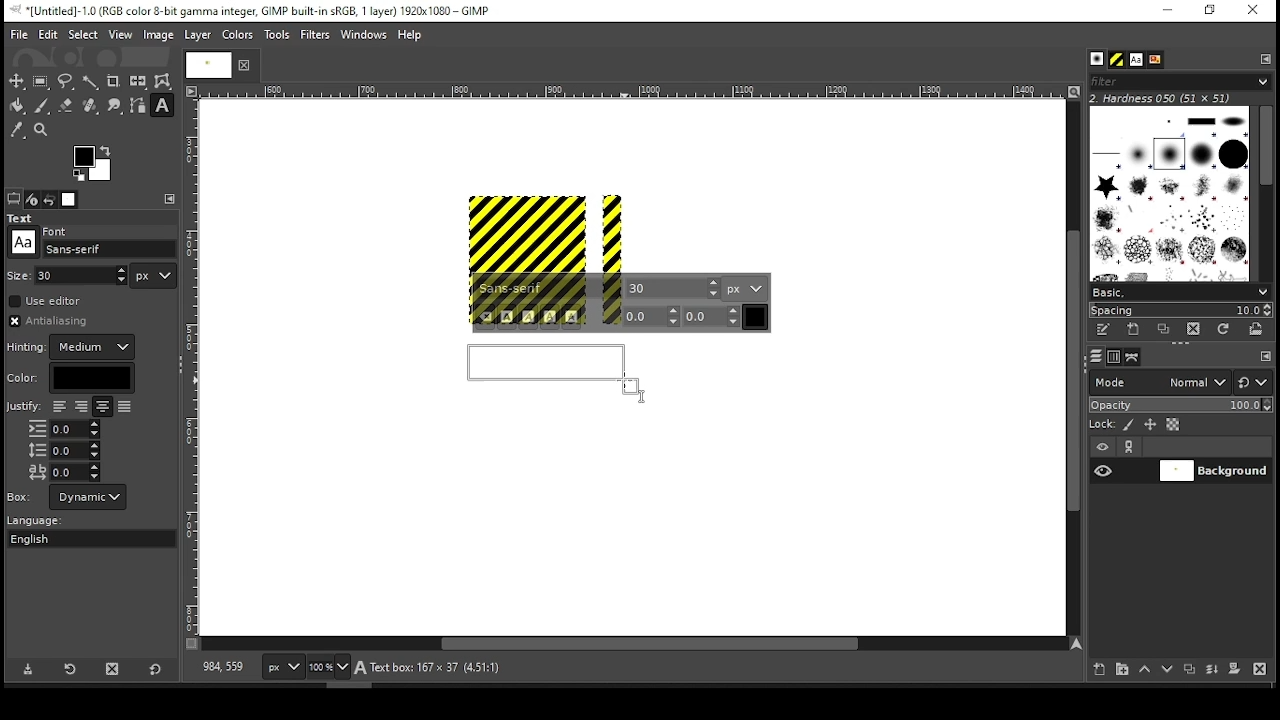  What do you see at coordinates (1222, 331) in the screenshot?
I see `refresh brushes` at bounding box center [1222, 331].